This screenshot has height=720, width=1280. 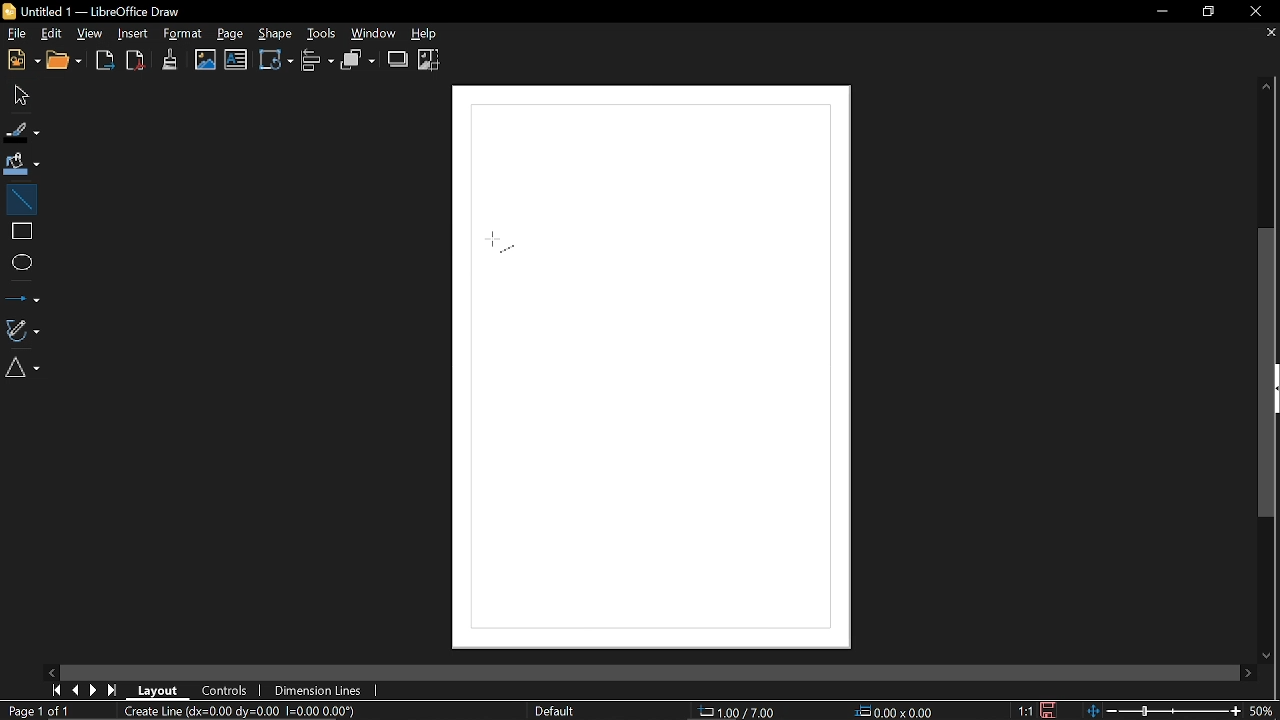 What do you see at coordinates (1272, 88) in the screenshot?
I see `Move up` at bounding box center [1272, 88].